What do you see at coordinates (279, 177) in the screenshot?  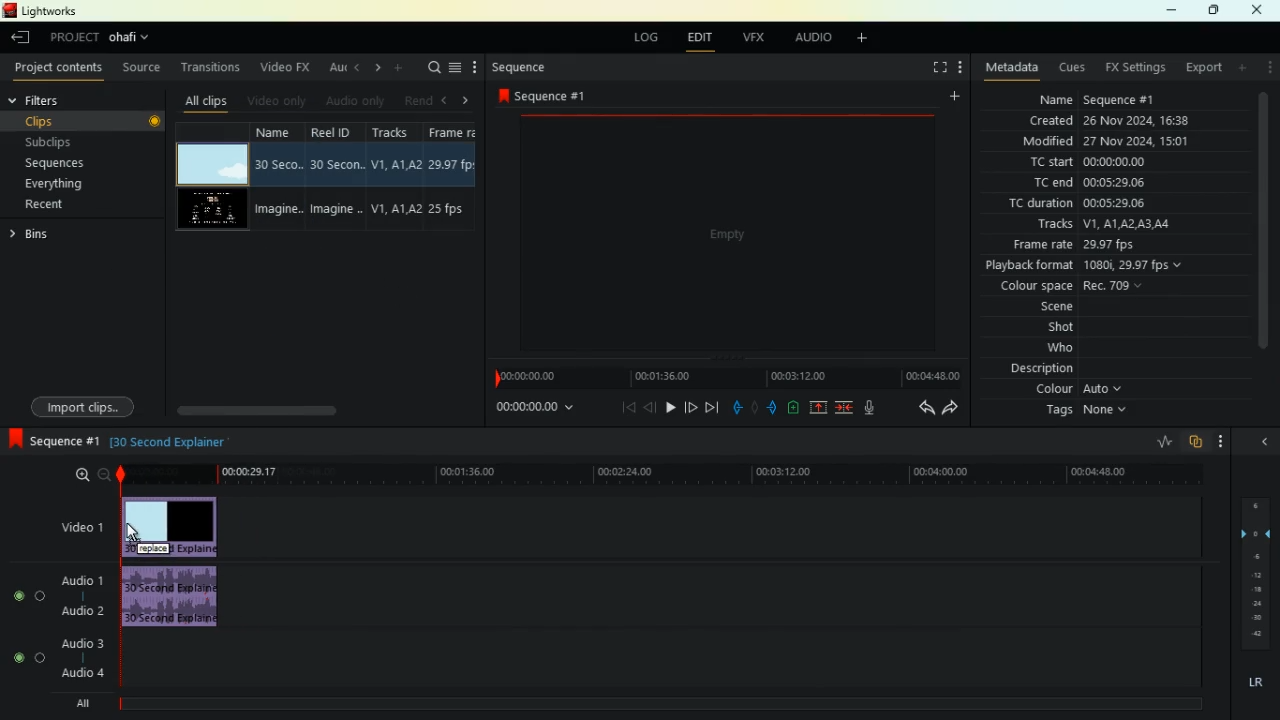 I see `name` at bounding box center [279, 177].